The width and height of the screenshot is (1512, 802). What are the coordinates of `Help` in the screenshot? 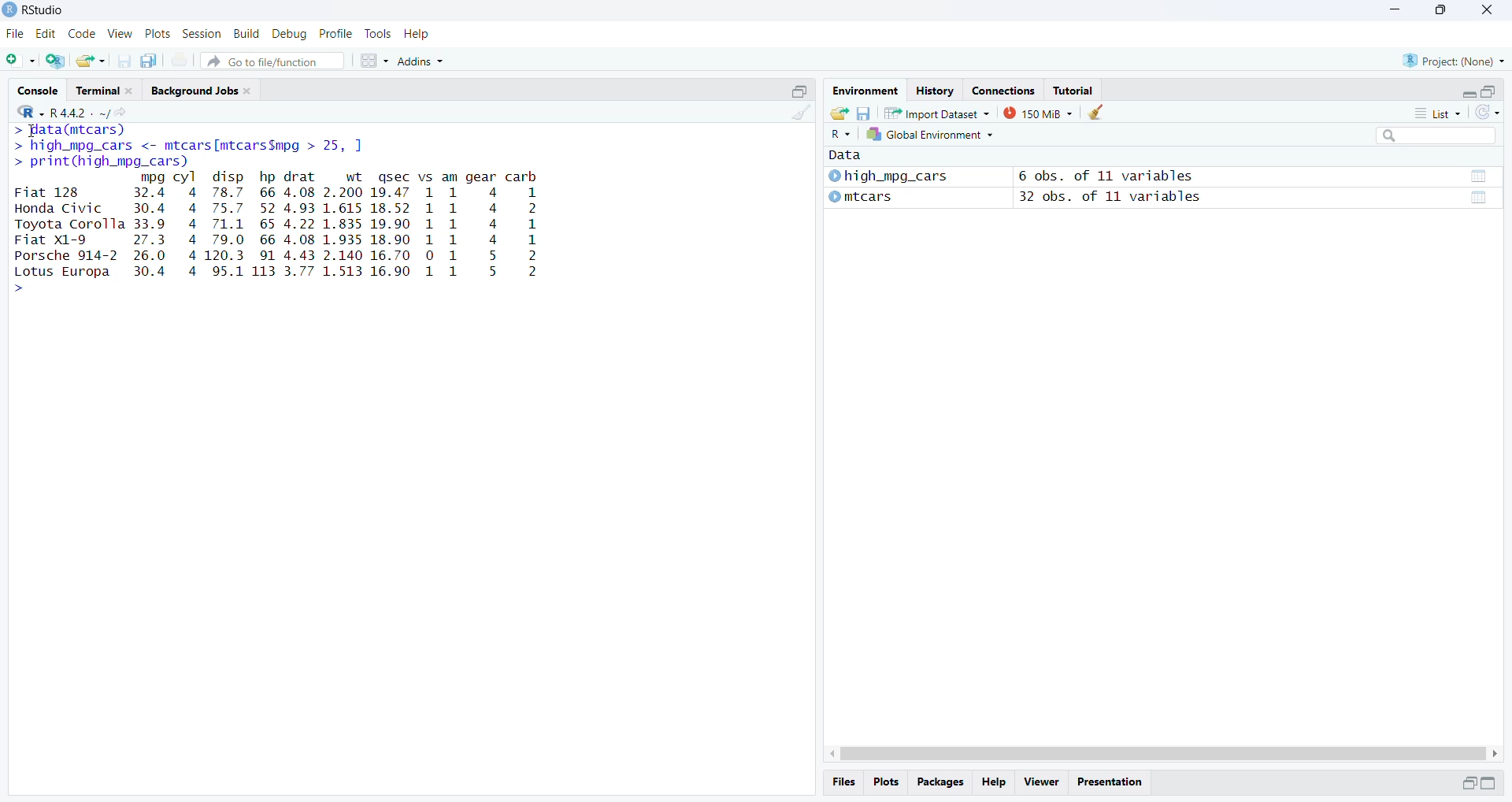 It's located at (416, 33).